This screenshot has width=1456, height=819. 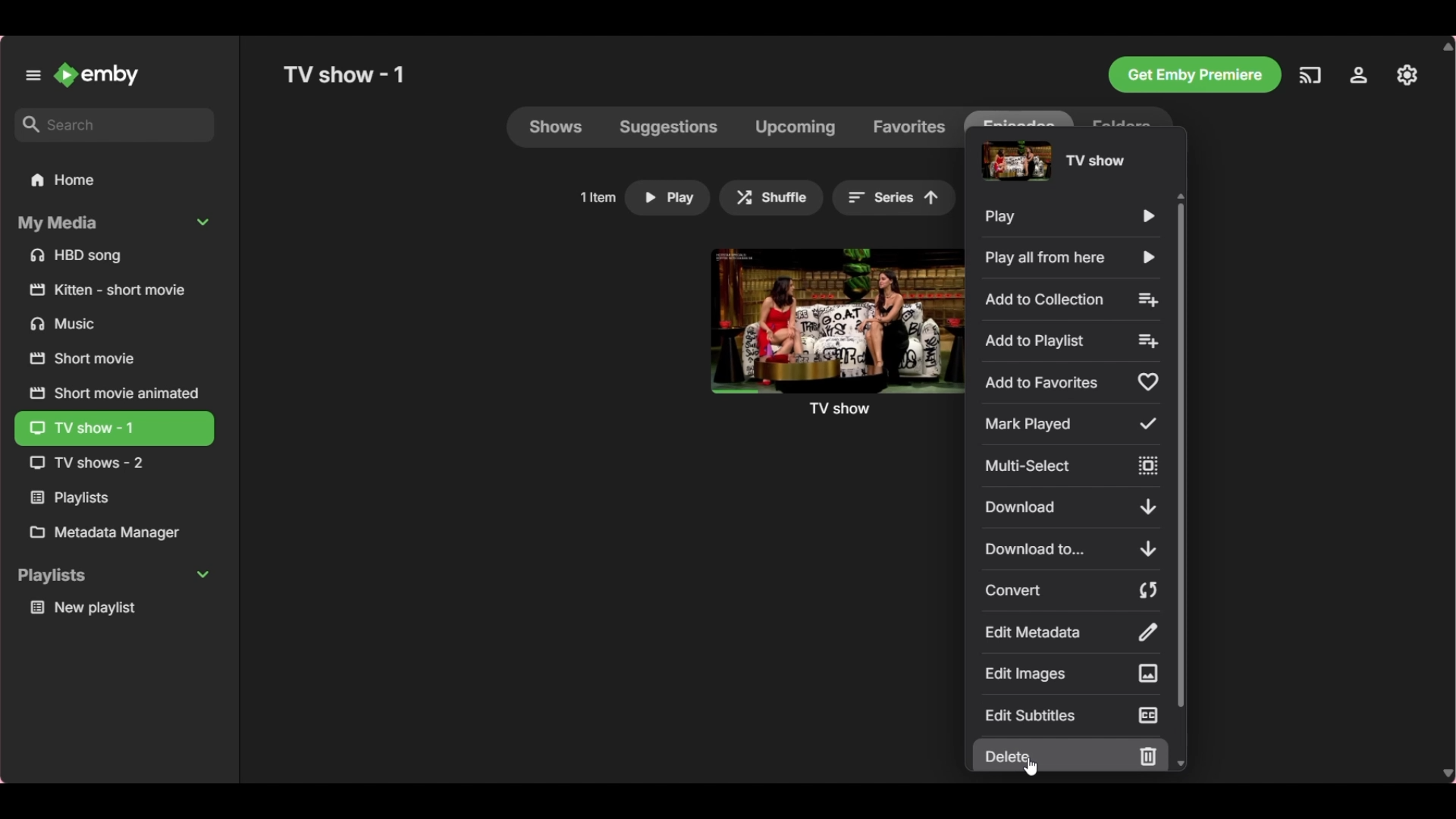 I want to click on Short film, so click(x=115, y=290).